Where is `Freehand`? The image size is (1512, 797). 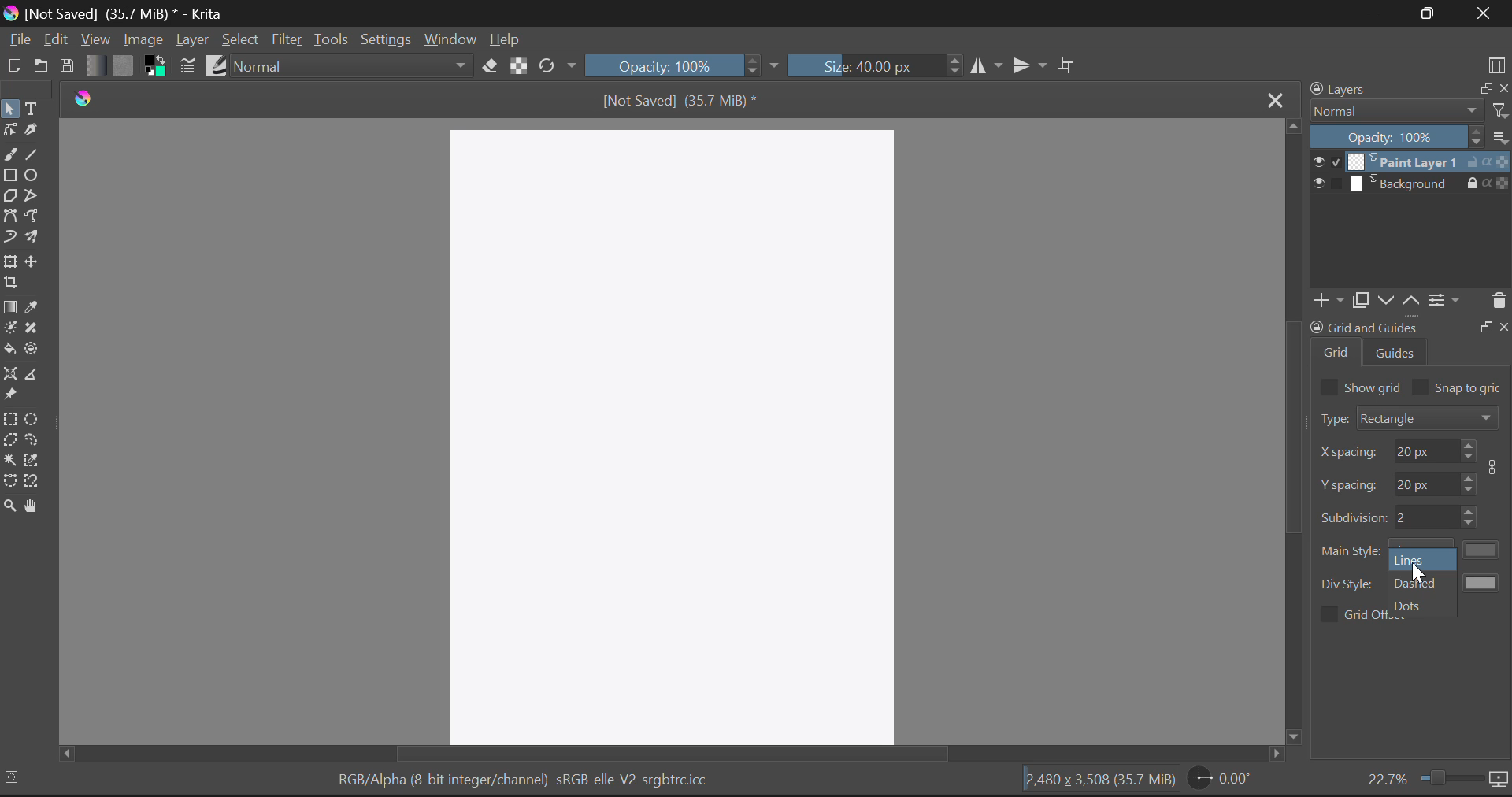 Freehand is located at coordinates (9, 155).